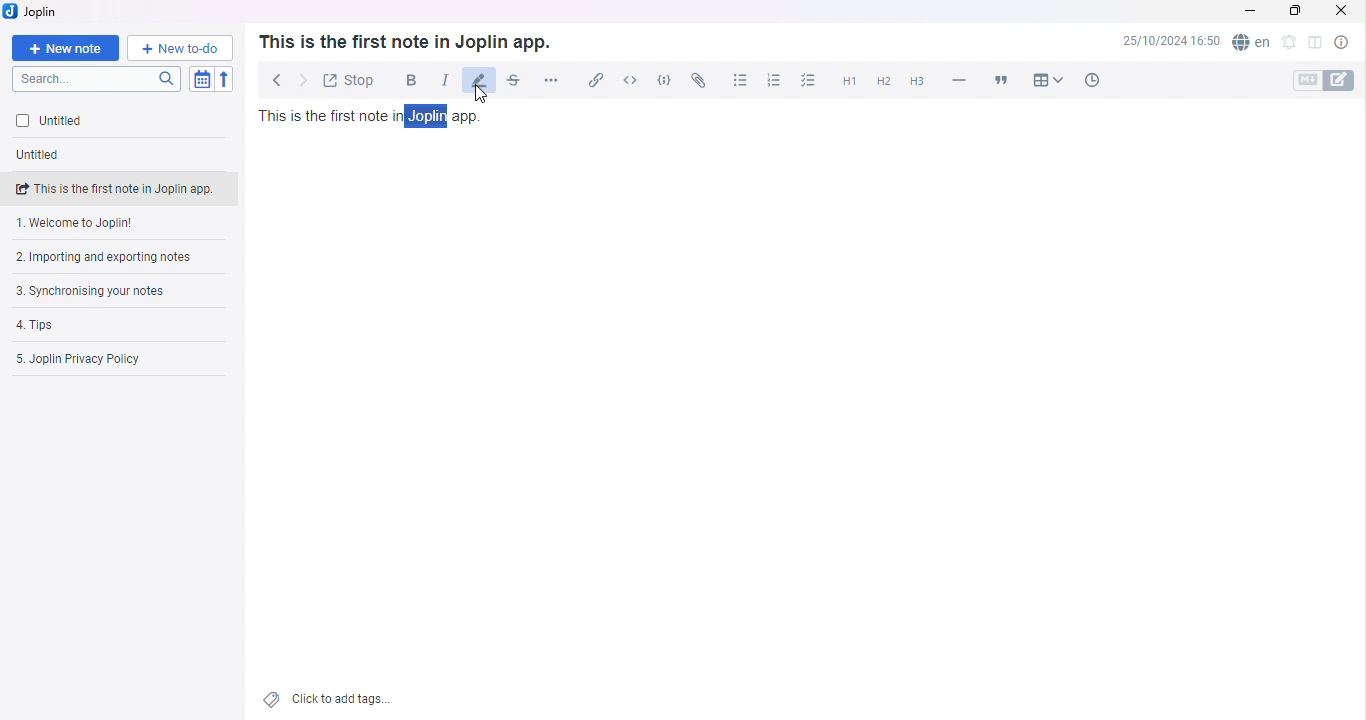  I want to click on Text, so click(404, 41).